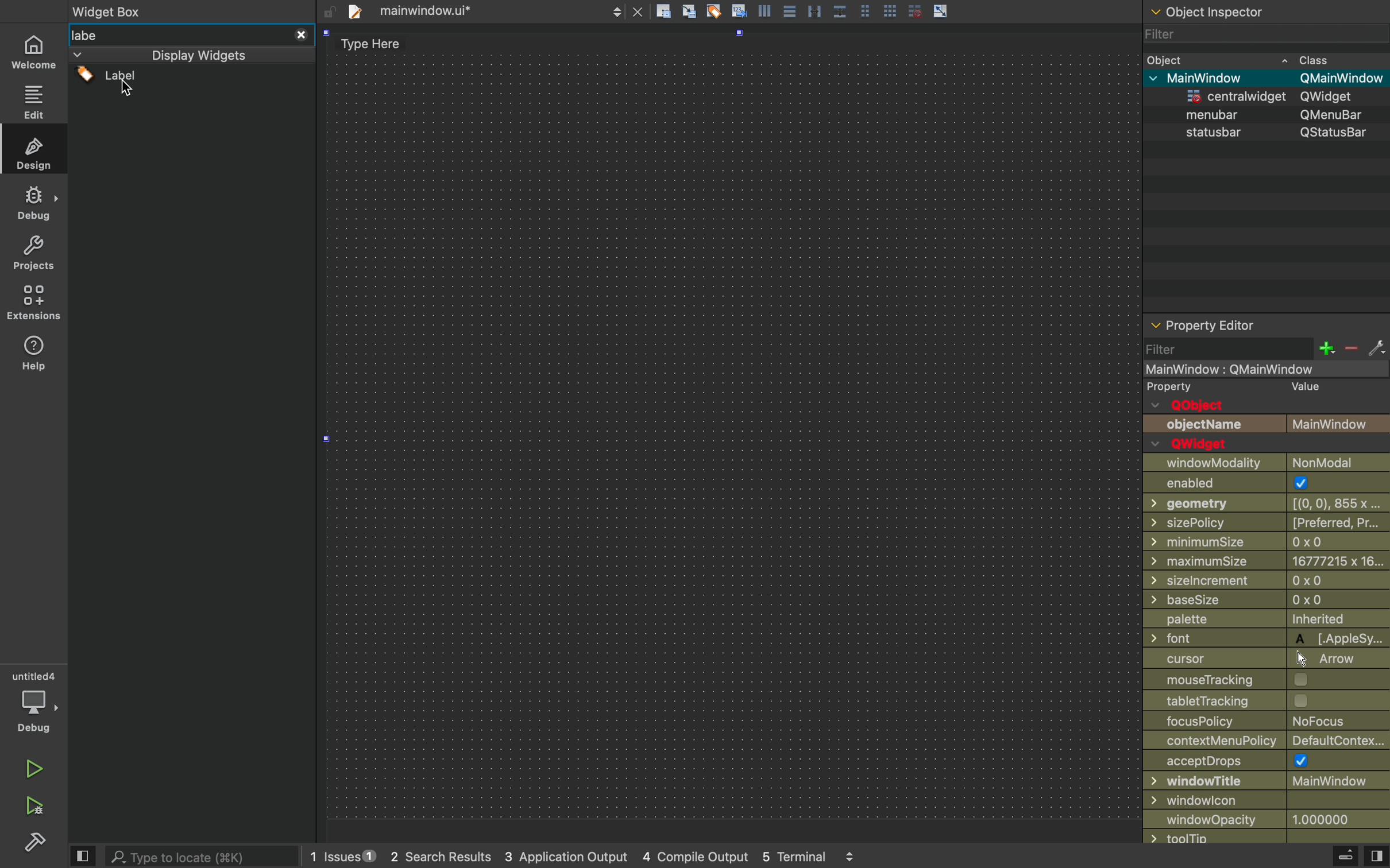 The width and height of the screenshot is (1390, 868). I want to click on environmnt, so click(32, 303).